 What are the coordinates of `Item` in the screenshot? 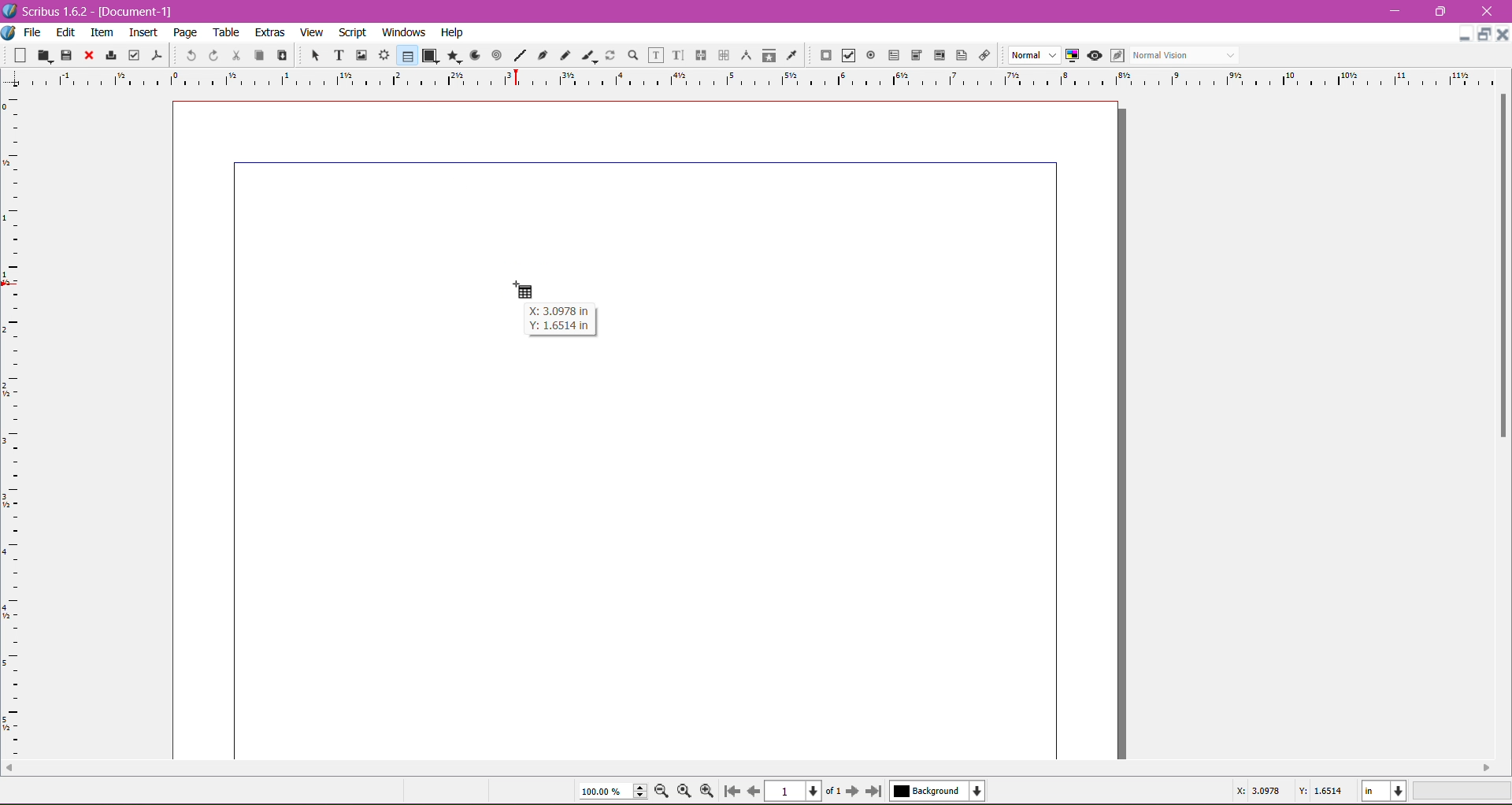 It's located at (102, 32).